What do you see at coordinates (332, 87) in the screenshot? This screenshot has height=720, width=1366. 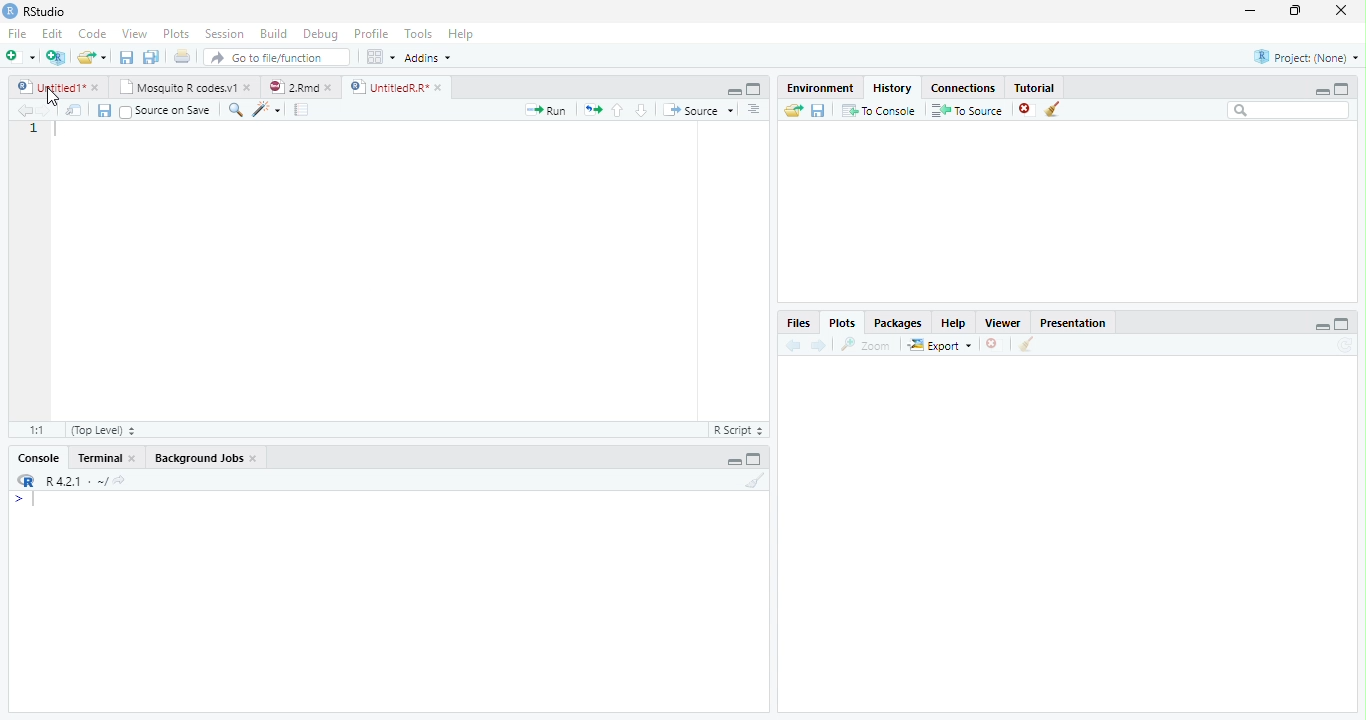 I see `close` at bounding box center [332, 87].